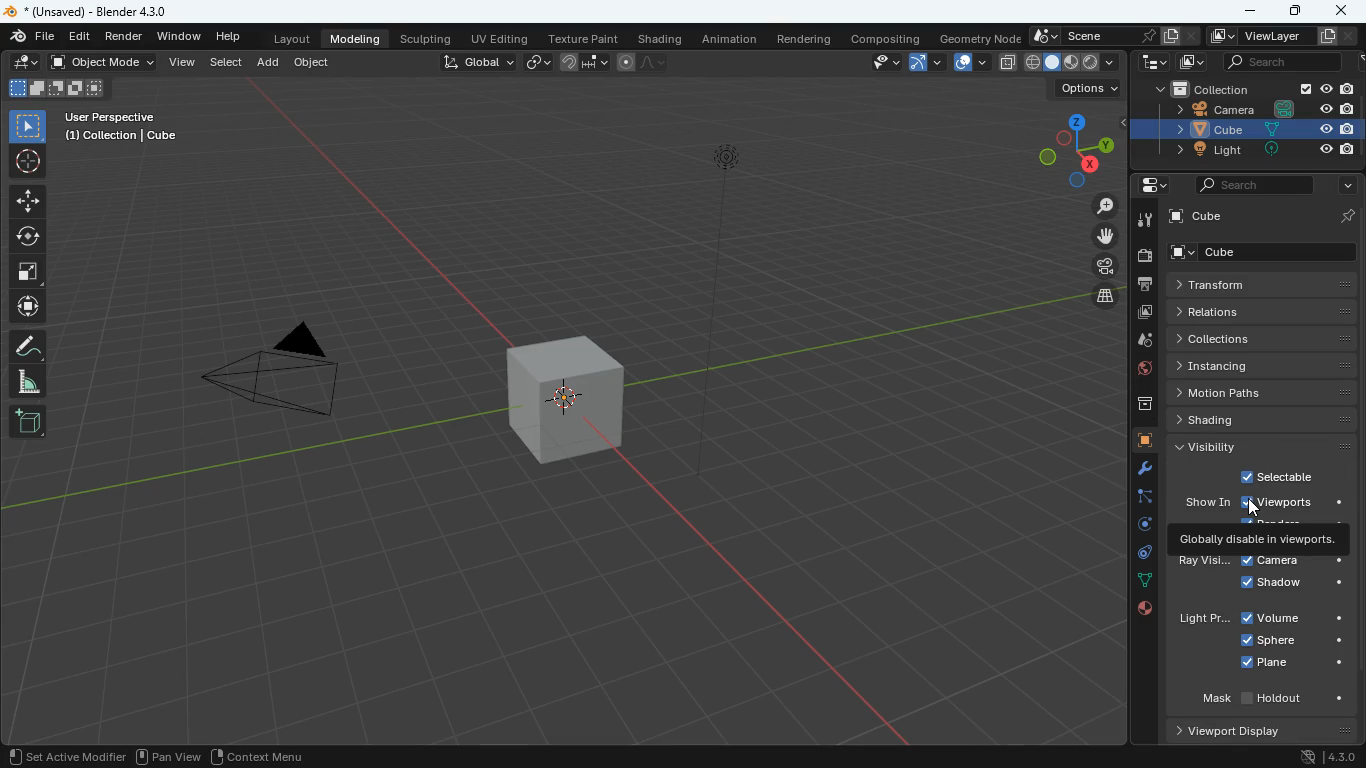  I want to click on turn, so click(1137, 527).